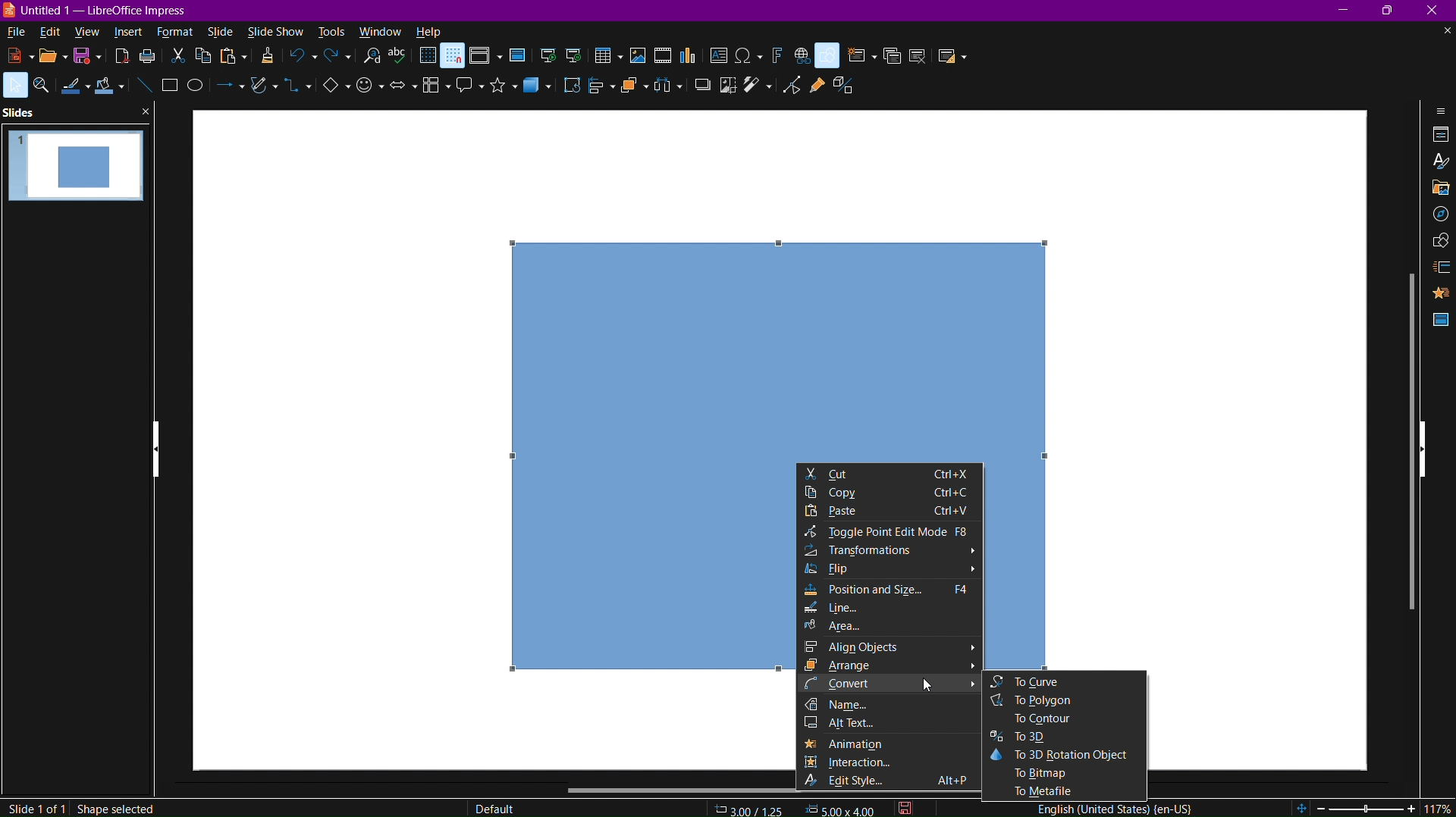  Describe the element at coordinates (1439, 136) in the screenshot. I see `Properties` at that location.